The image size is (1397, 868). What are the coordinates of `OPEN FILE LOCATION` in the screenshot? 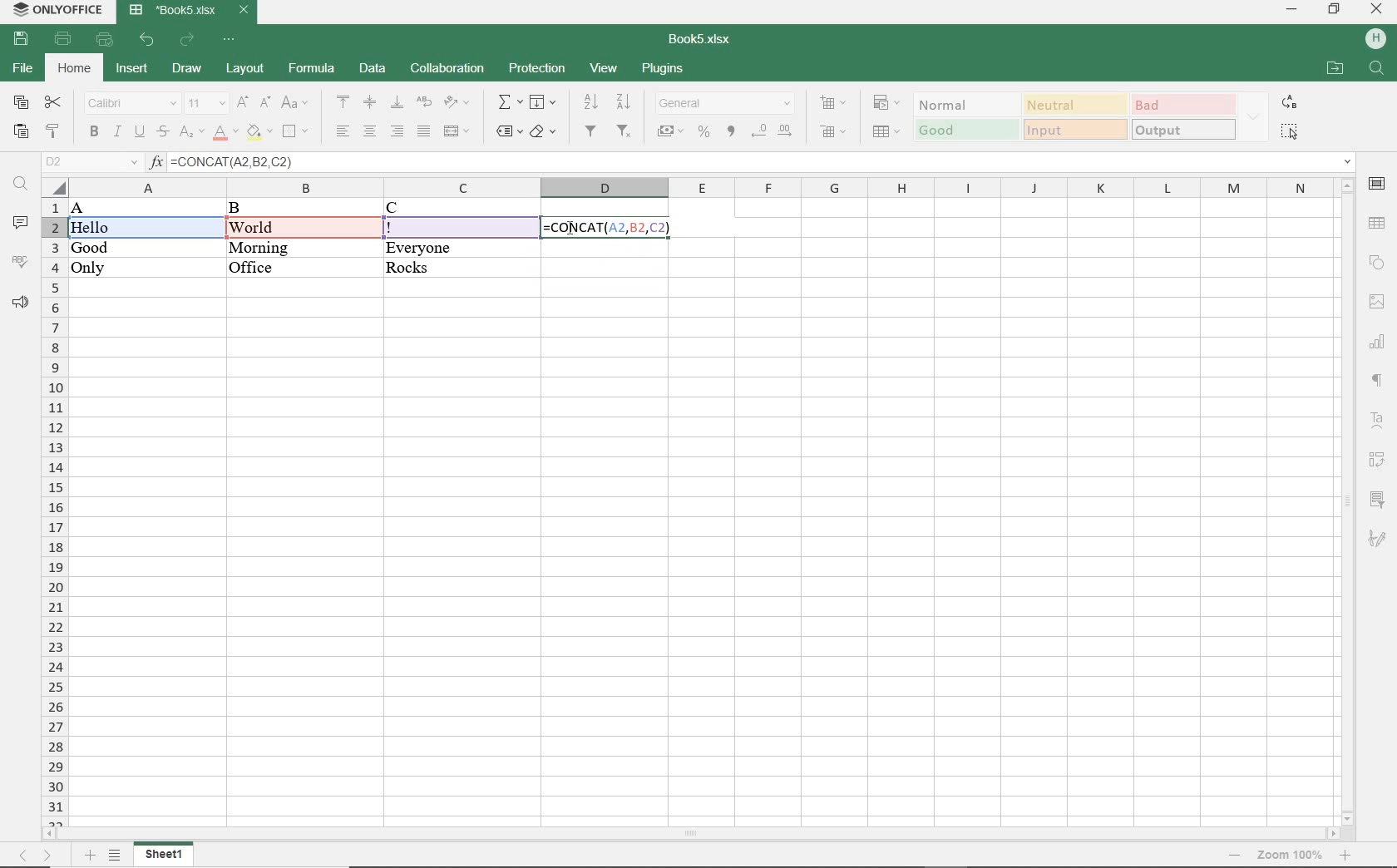 It's located at (1335, 69).